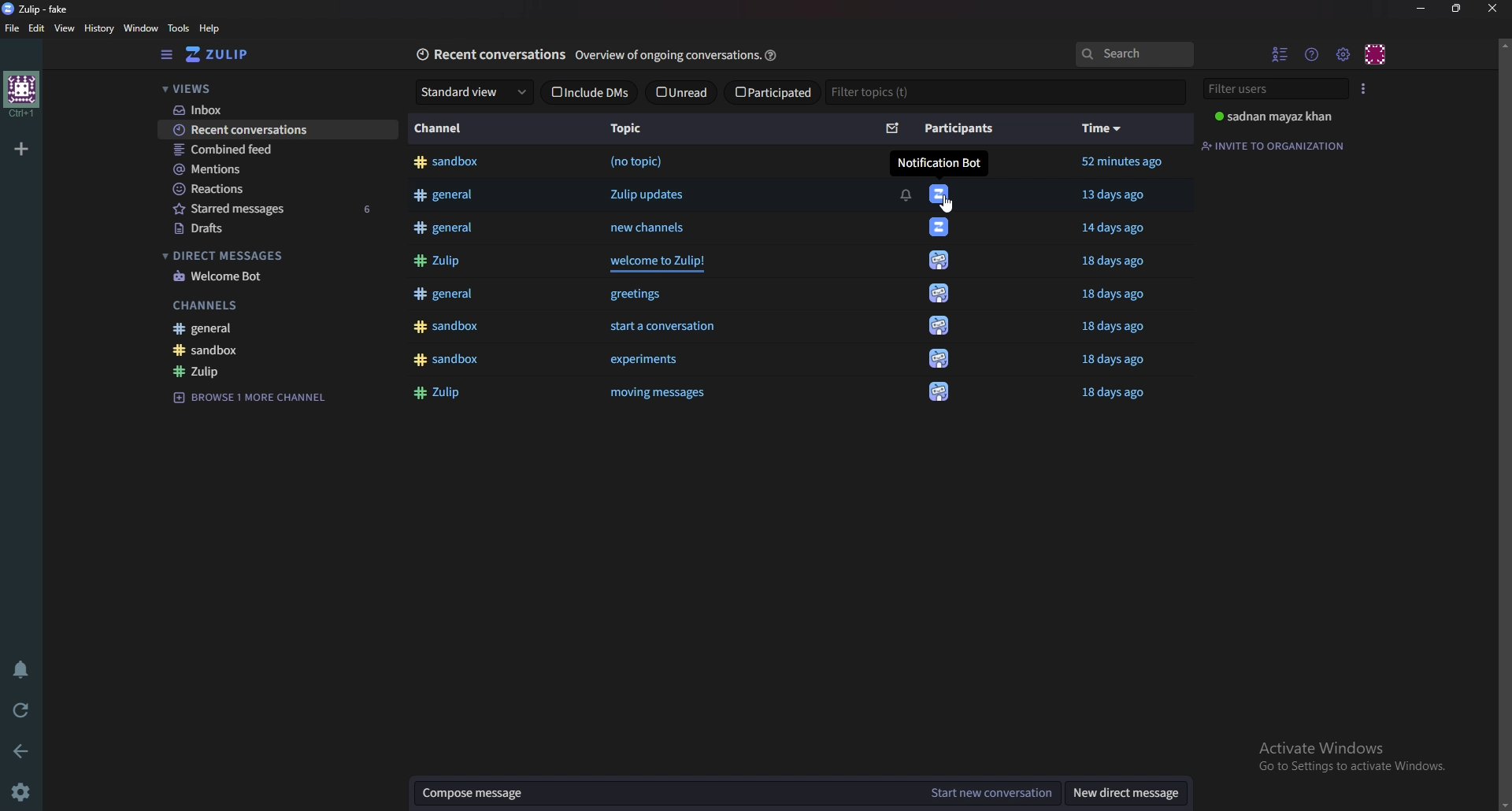 This screenshot has width=1512, height=811. What do you see at coordinates (251, 398) in the screenshot?
I see `Browse channel` at bounding box center [251, 398].